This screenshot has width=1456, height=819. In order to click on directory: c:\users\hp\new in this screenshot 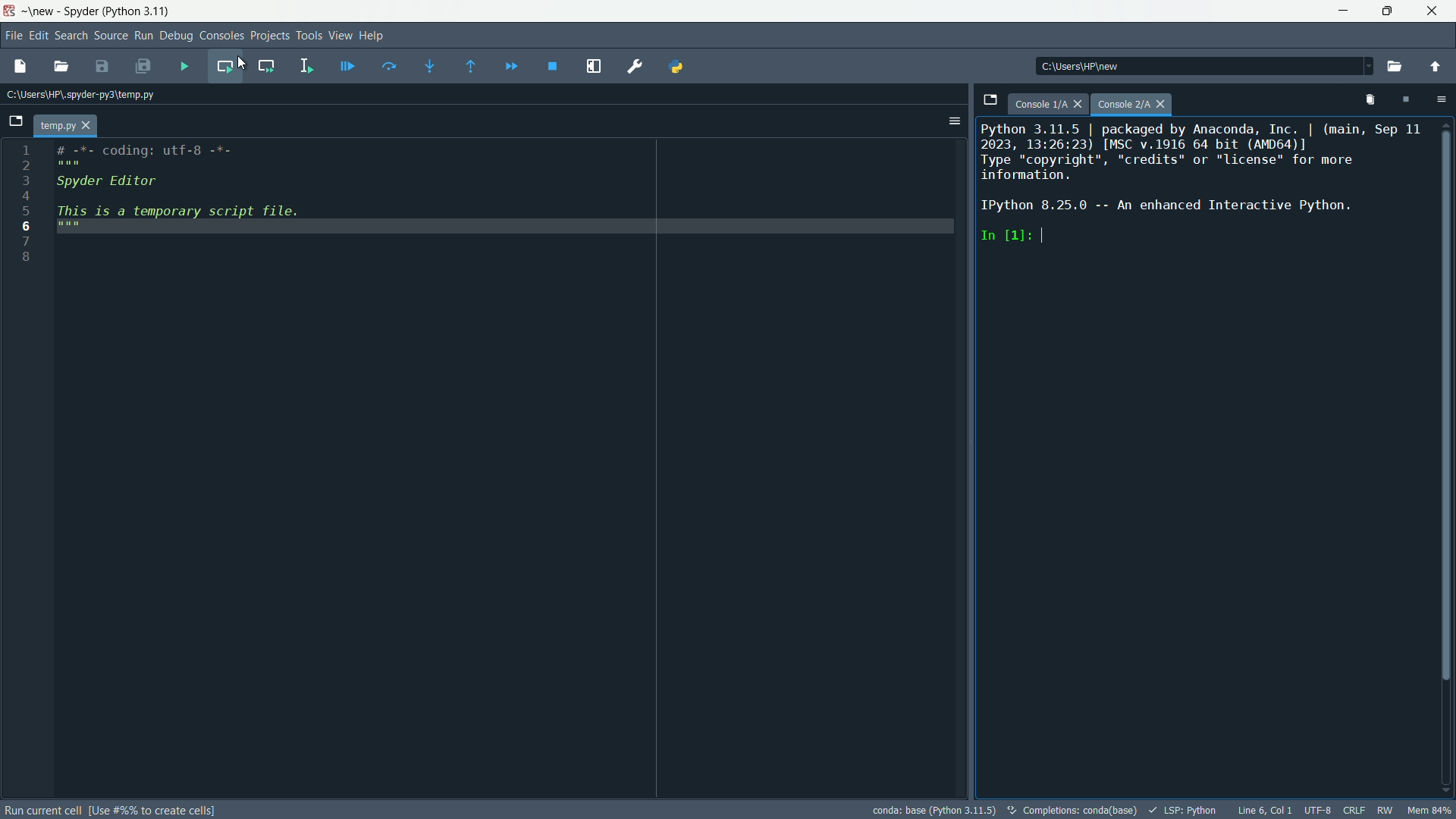, I will do `click(1089, 66)`.